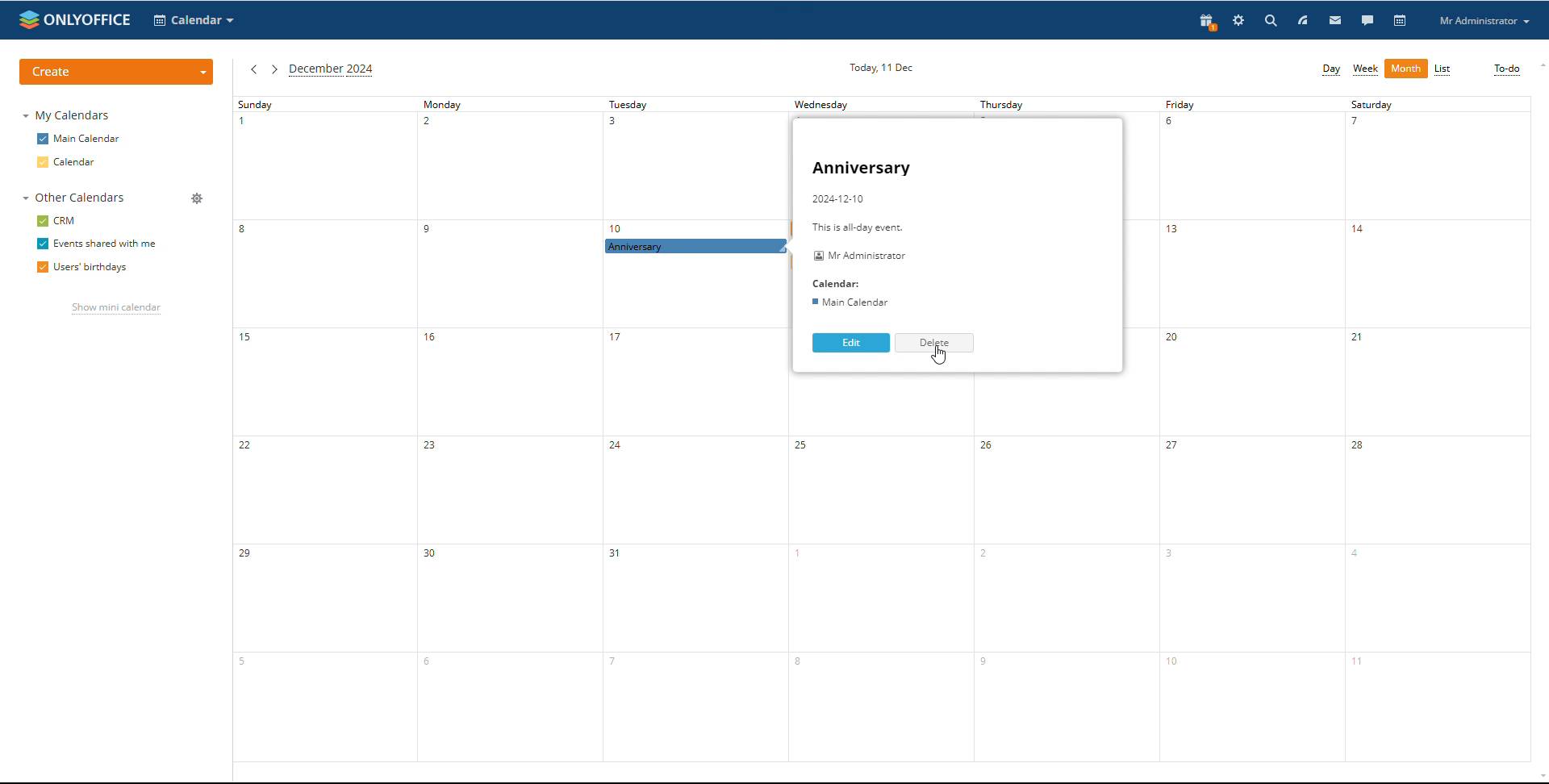 This screenshot has height=784, width=1549. I want to click on onlyoffice logo, so click(27, 21).